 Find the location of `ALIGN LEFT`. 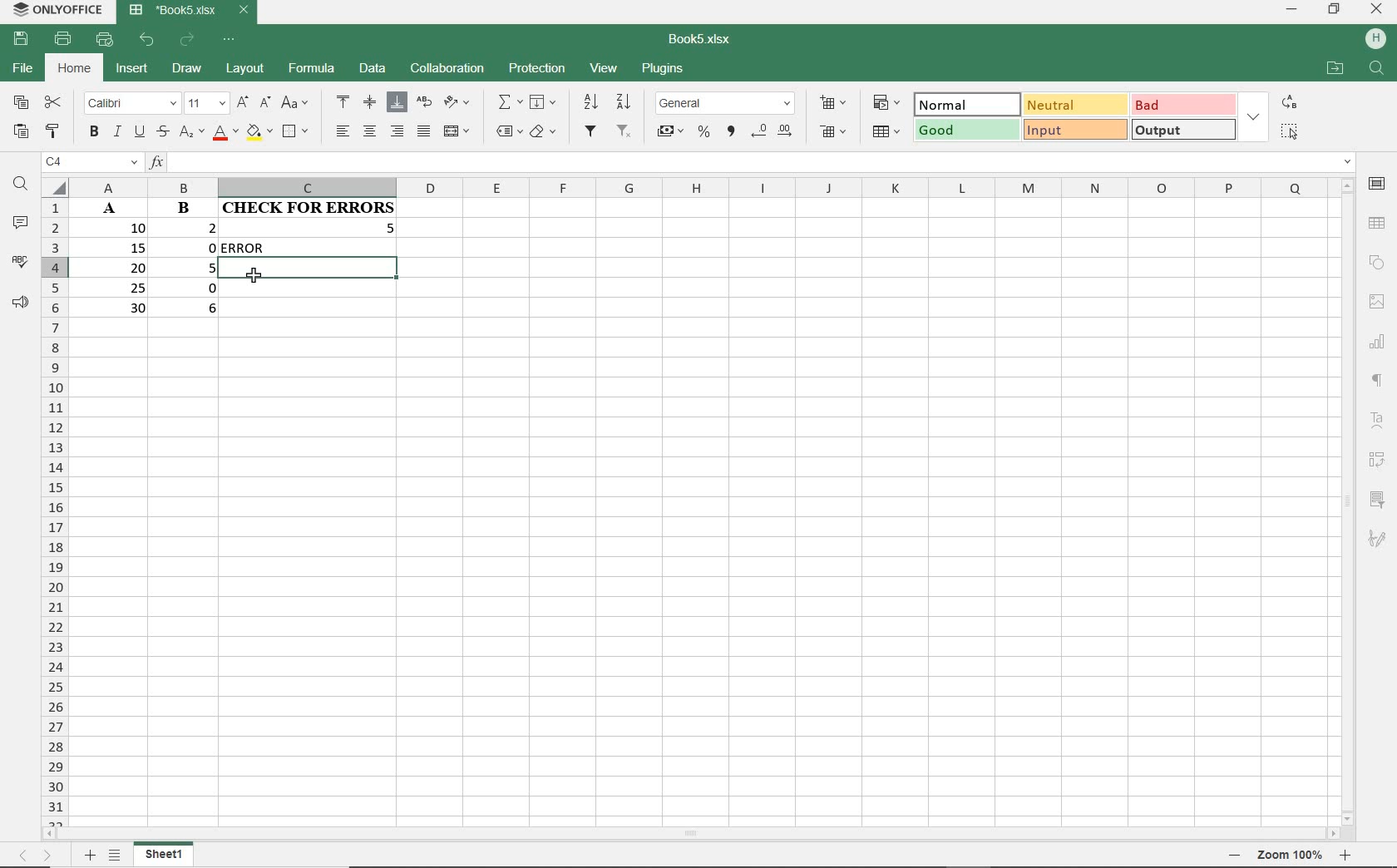

ALIGN LEFT is located at coordinates (343, 131).